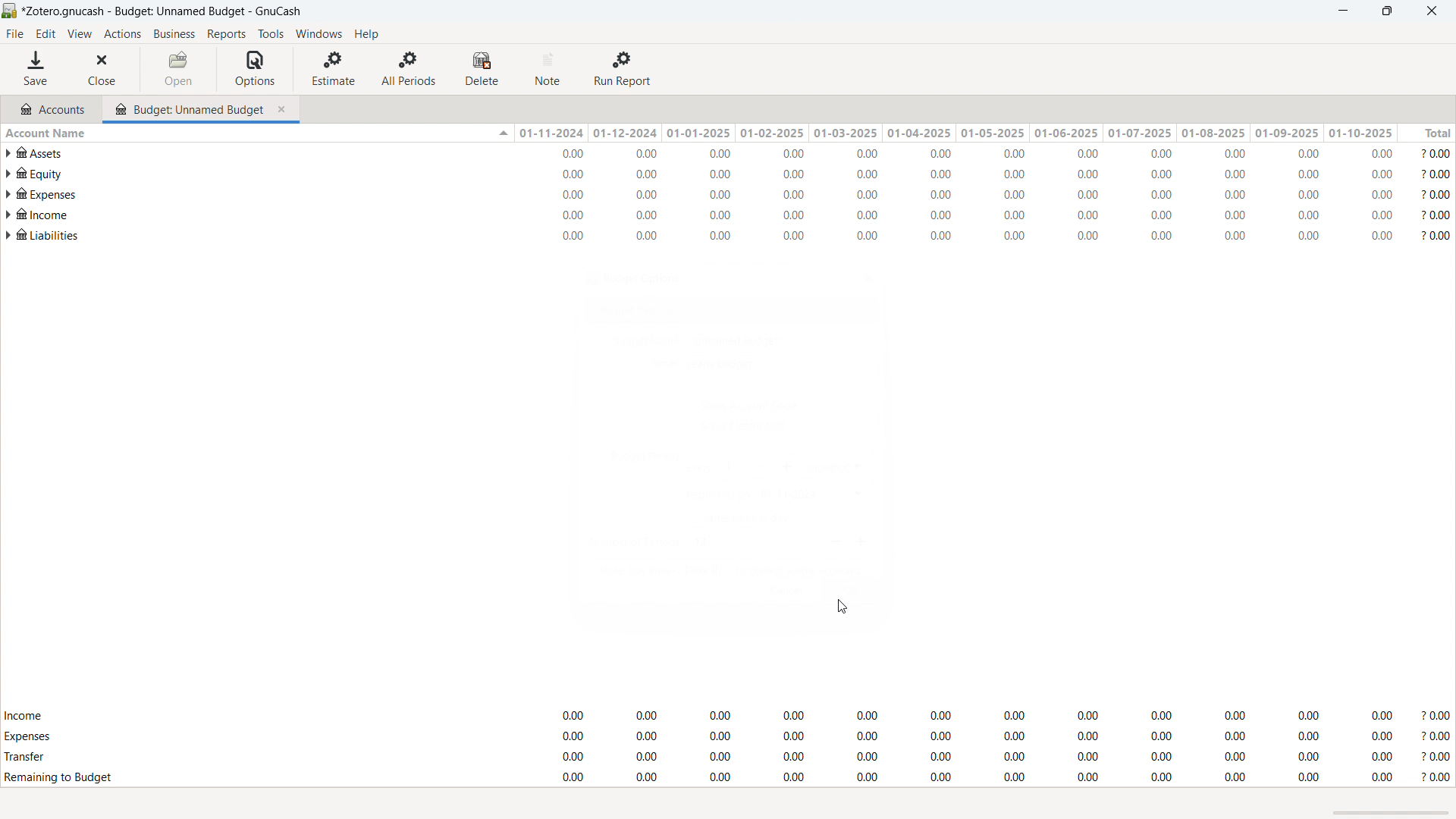  I want to click on note, so click(550, 69).